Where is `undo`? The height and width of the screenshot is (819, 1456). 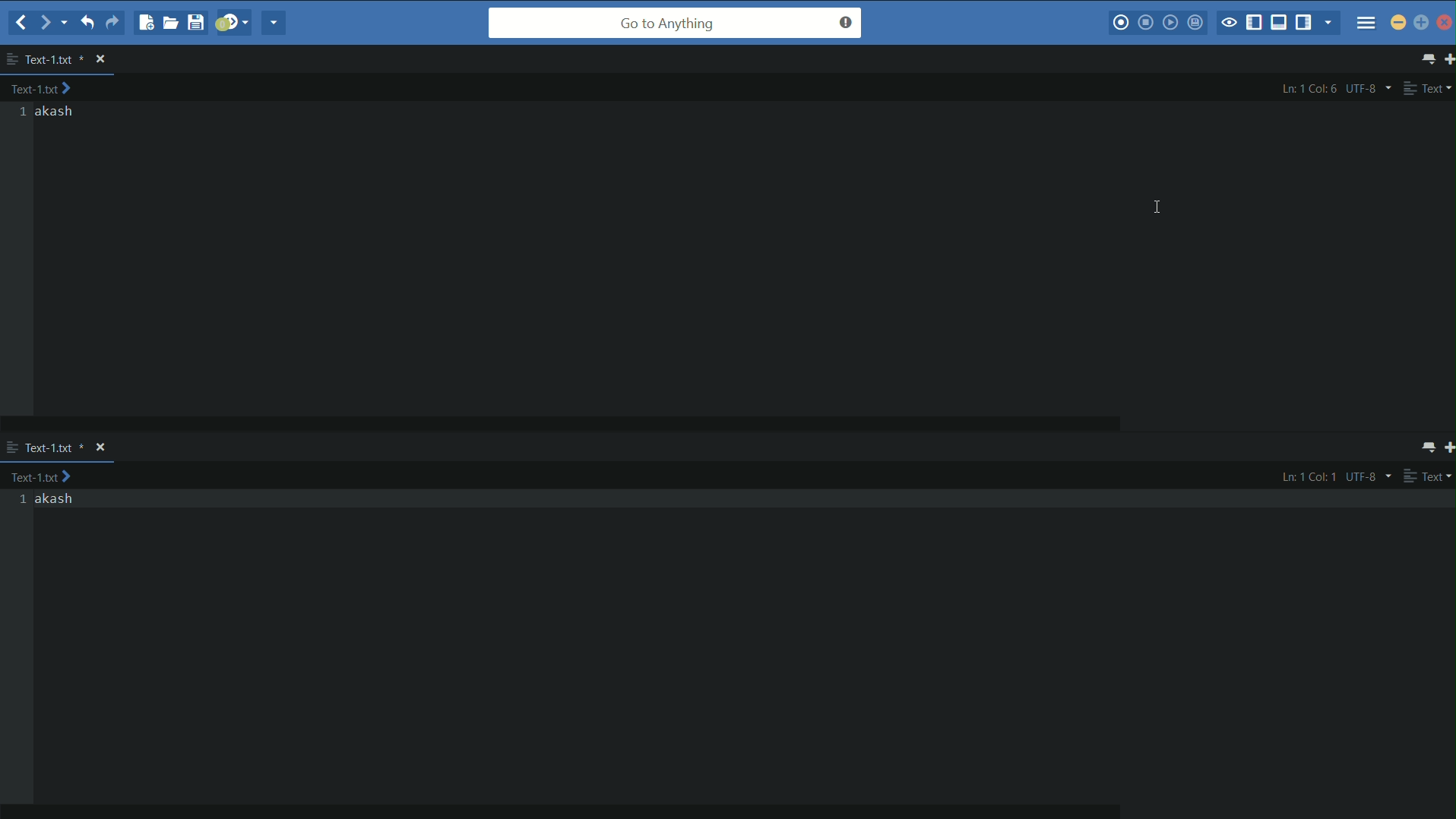
undo is located at coordinates (86, 21).